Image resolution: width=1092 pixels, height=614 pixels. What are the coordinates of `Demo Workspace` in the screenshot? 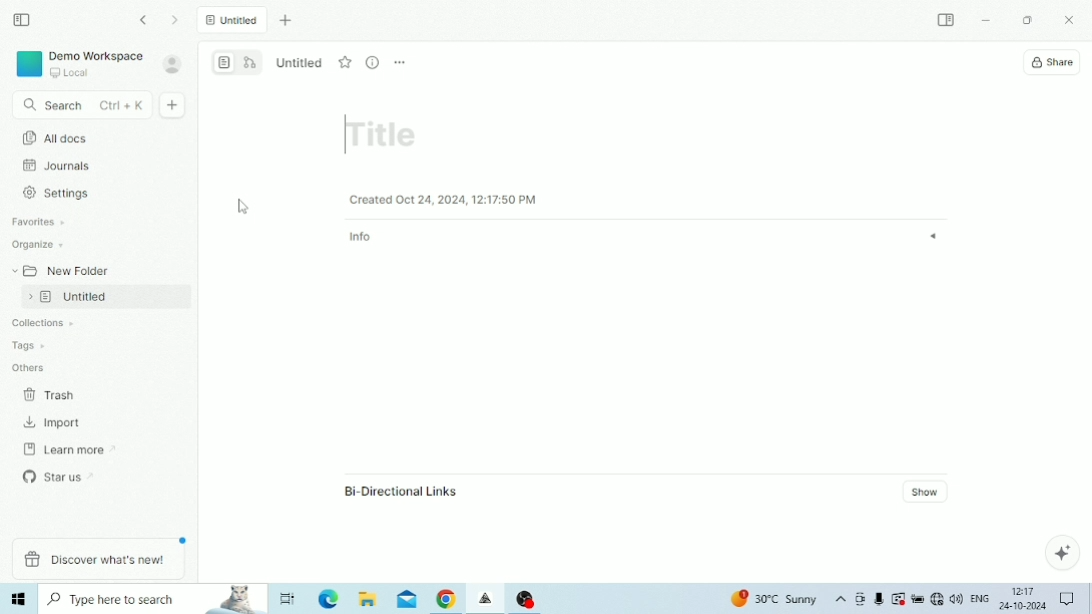 It's located at (79, 64).